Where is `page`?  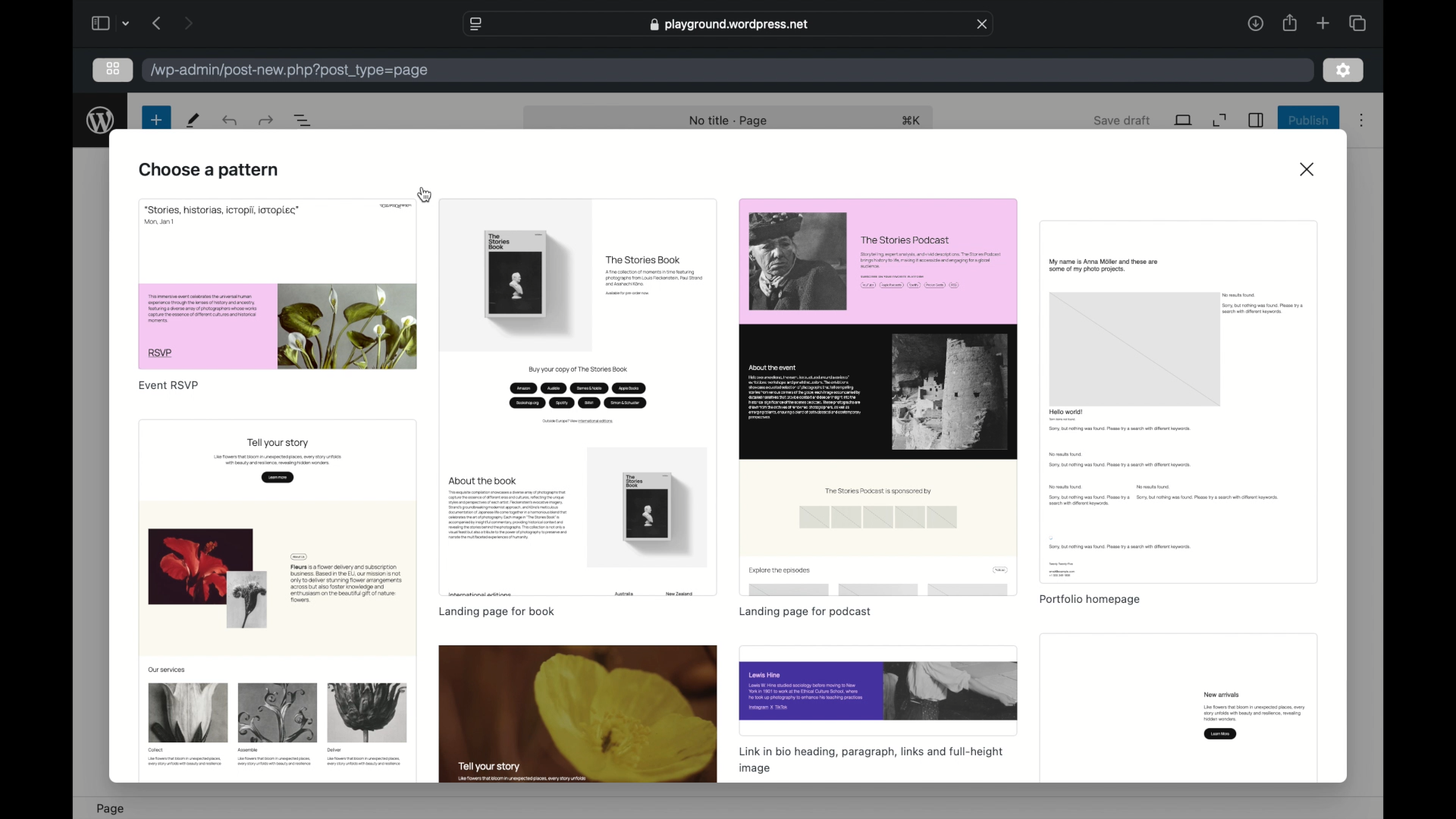
page is located at coordinates (110, 808).